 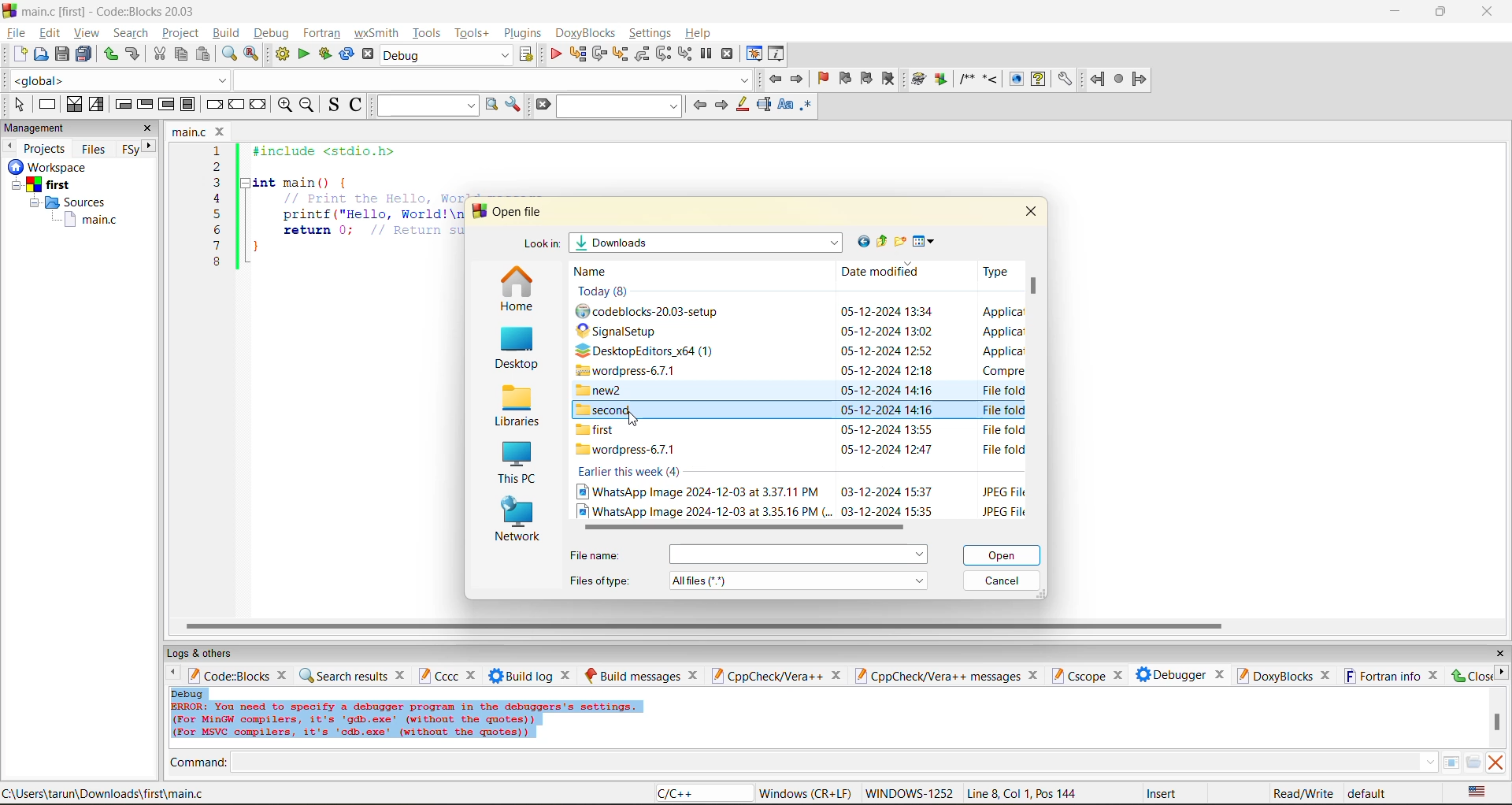 What do you see at coordinates (825, 79) in the screenshot?
I see `toggle bookmark` at bounding box center [825, 79].